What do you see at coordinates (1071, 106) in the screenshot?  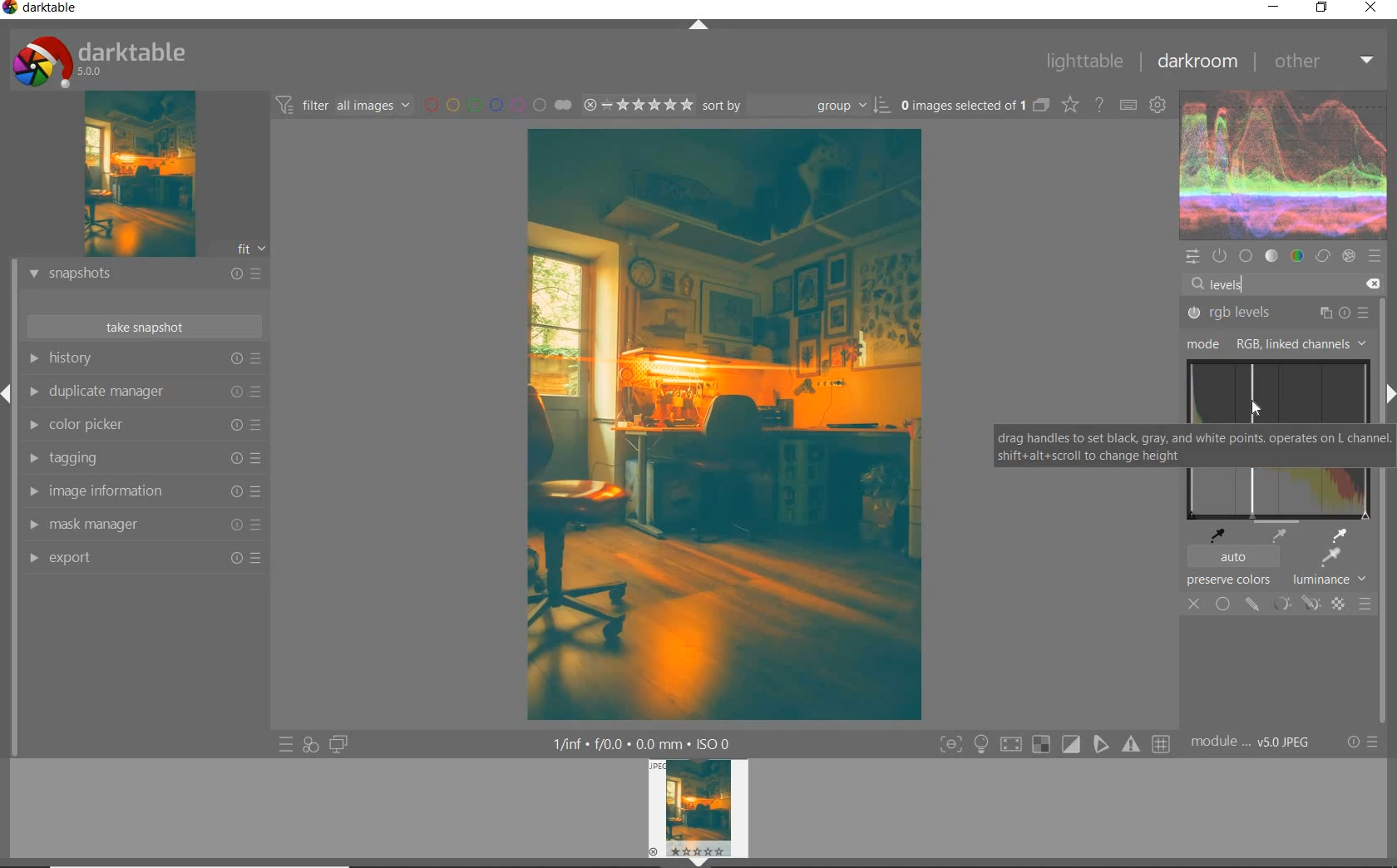 I see `change overlays shown on thumbnails` at bounding box center [1071, 106].